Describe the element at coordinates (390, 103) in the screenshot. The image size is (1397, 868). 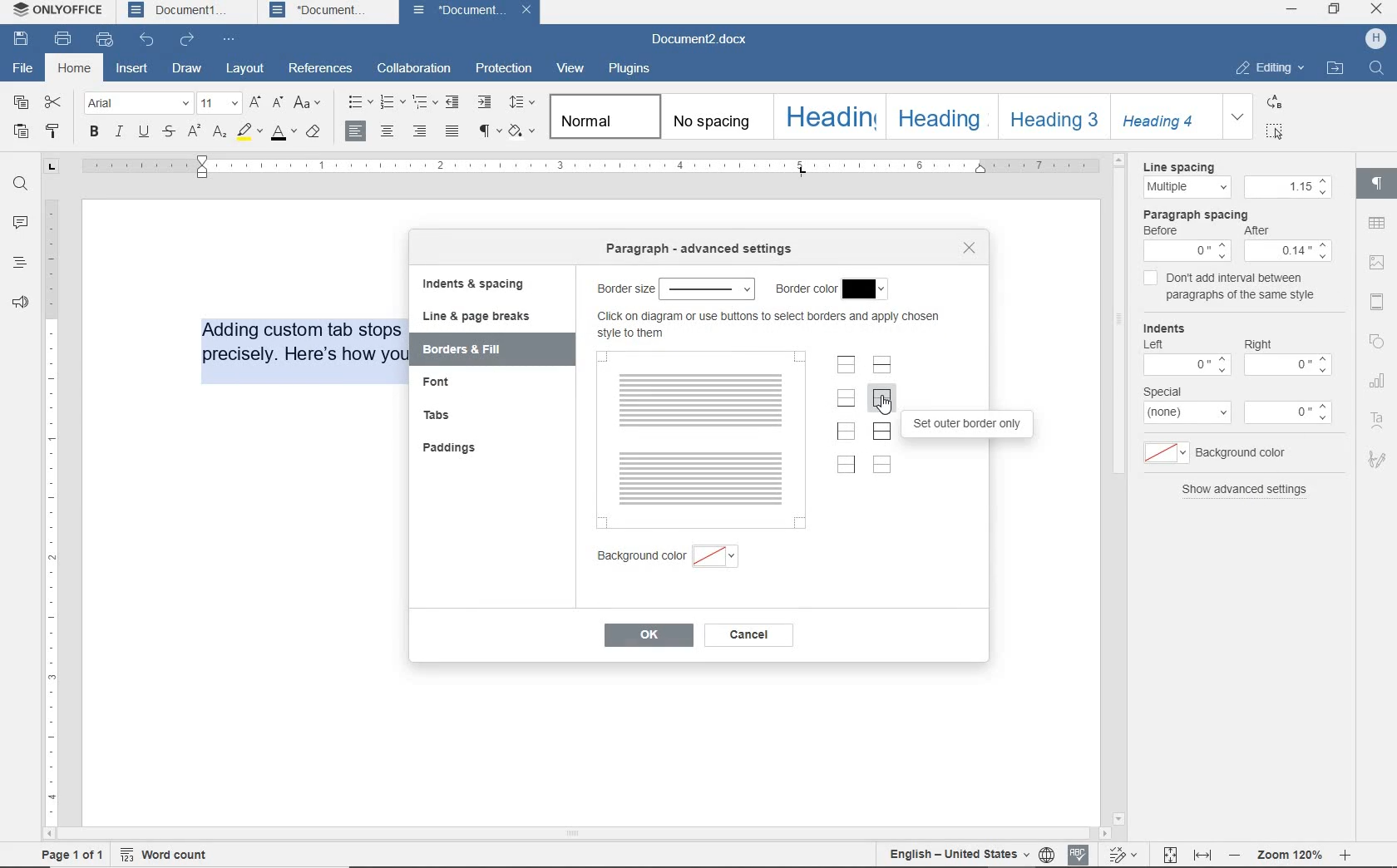
I see `numbering` at that location.